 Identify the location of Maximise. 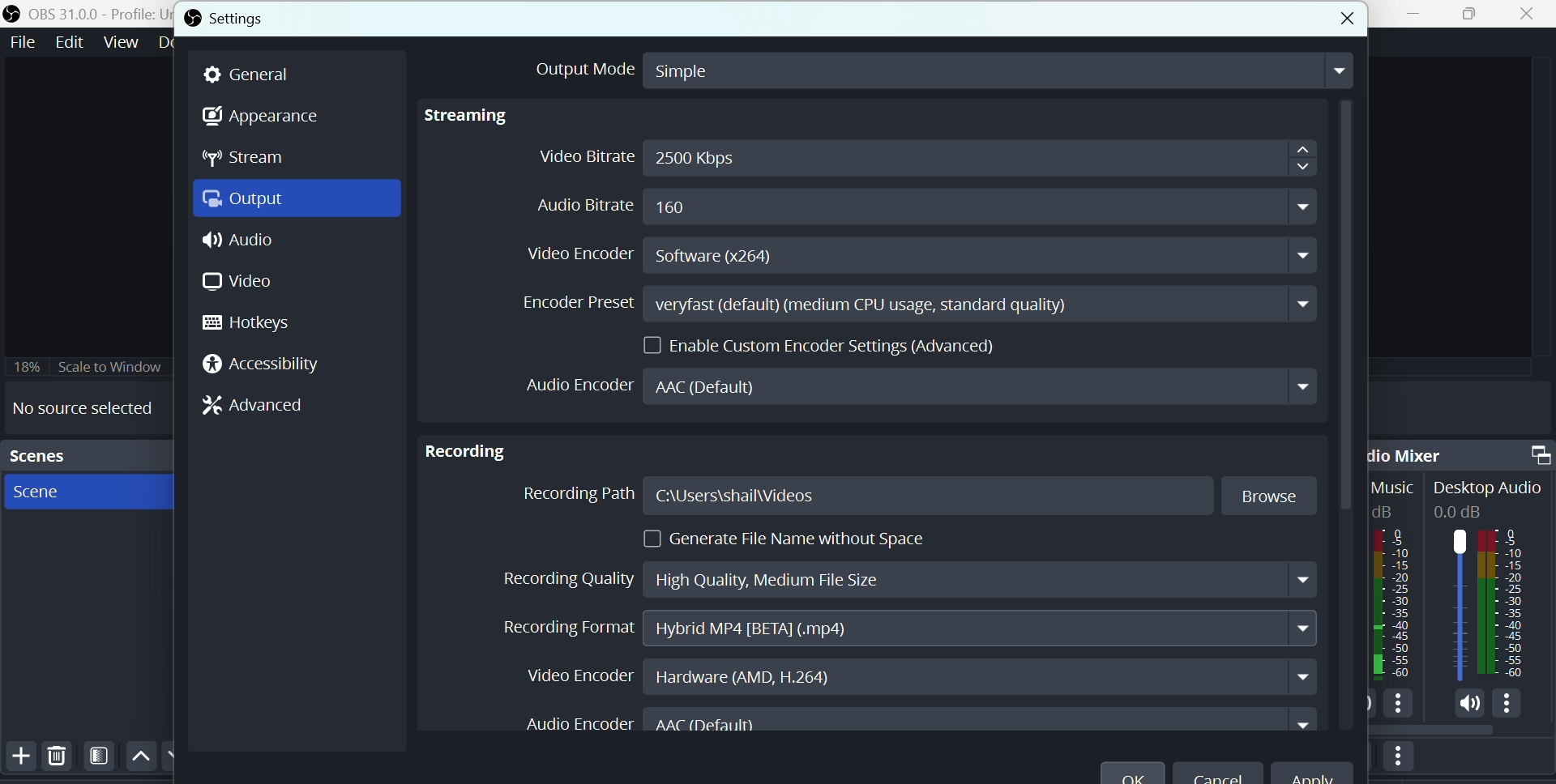
(1474, 16).